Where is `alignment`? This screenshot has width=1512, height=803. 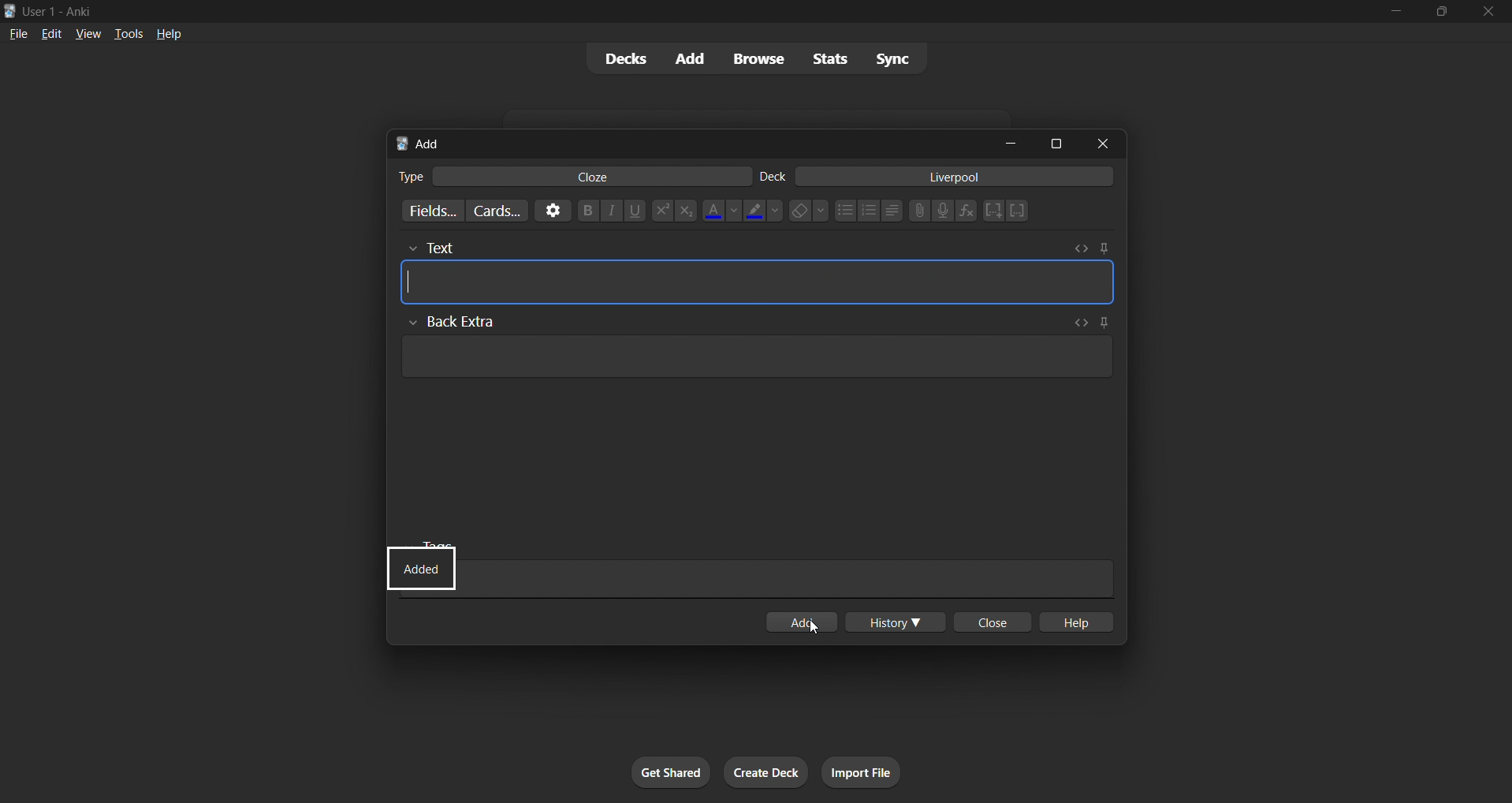
alignment is located at coordinates (896, 214).